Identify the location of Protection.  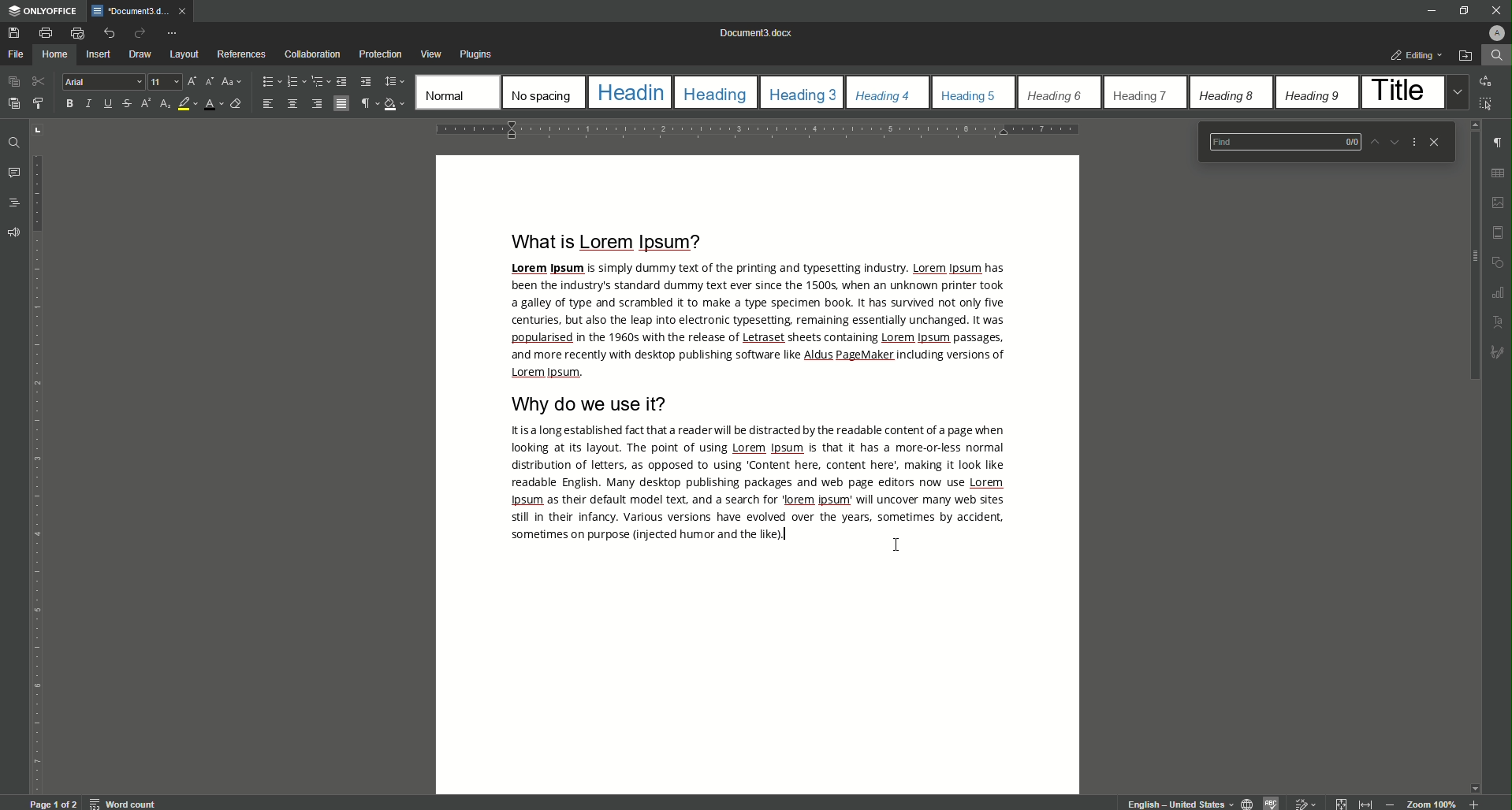
(380, 54).